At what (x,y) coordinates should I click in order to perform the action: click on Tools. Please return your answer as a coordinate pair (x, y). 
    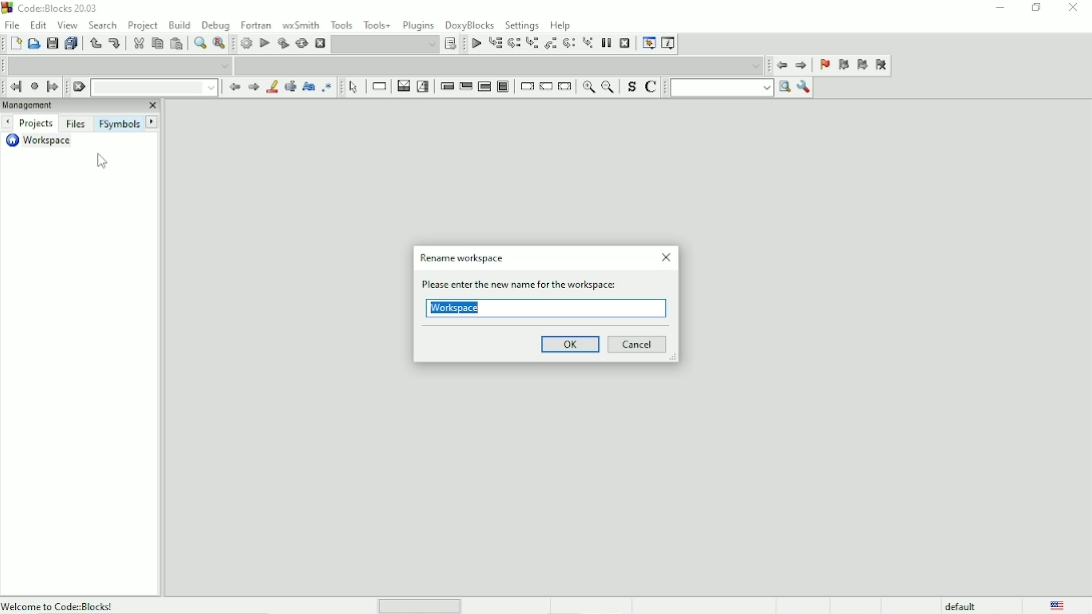
    Looking at the image, I should click on (342, 24).